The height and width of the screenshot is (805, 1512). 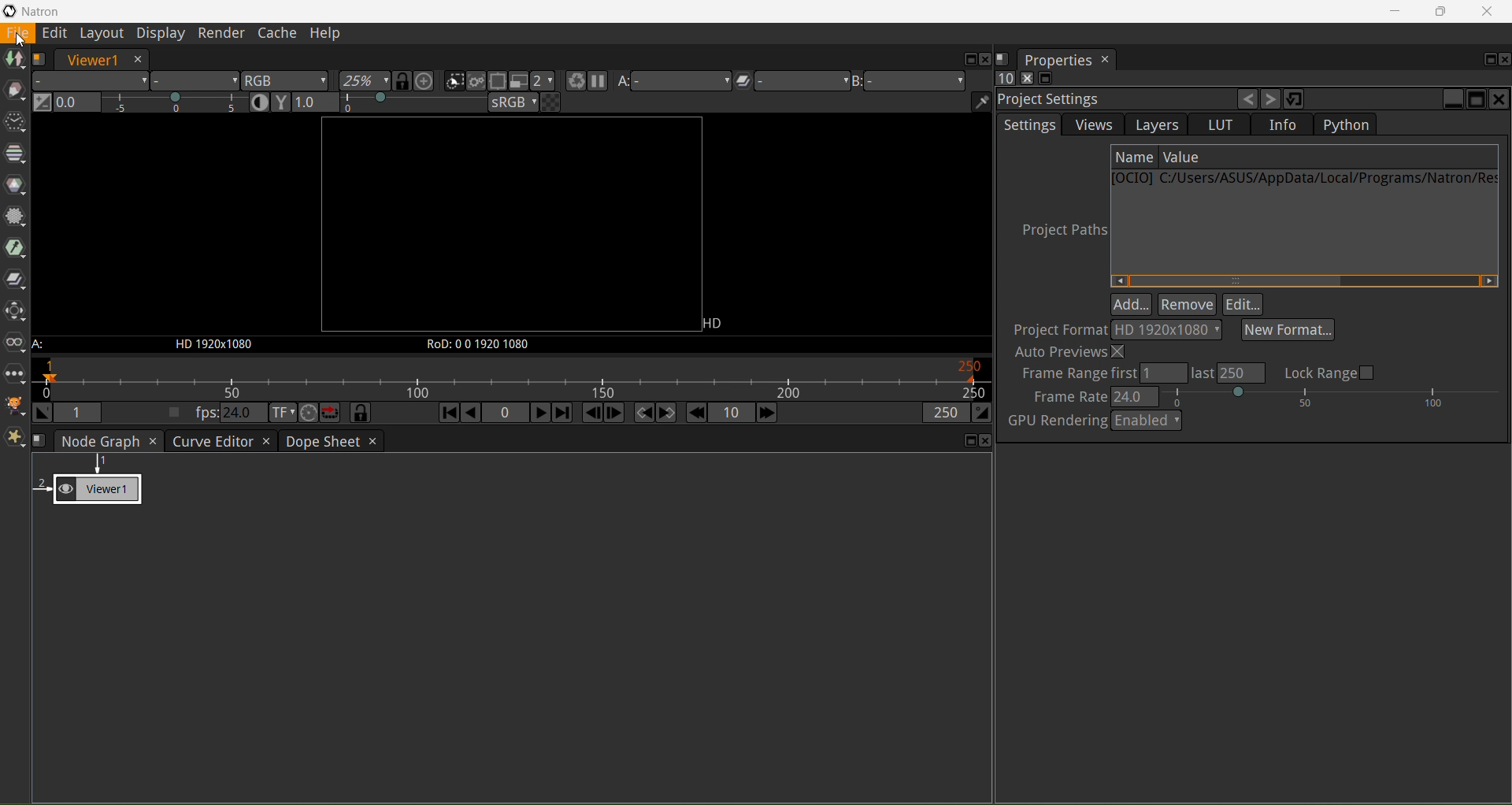 What do you see at coordinates (767, 414) in the screenshot?
I see `Next Increment` at bounding box center [767, 414].